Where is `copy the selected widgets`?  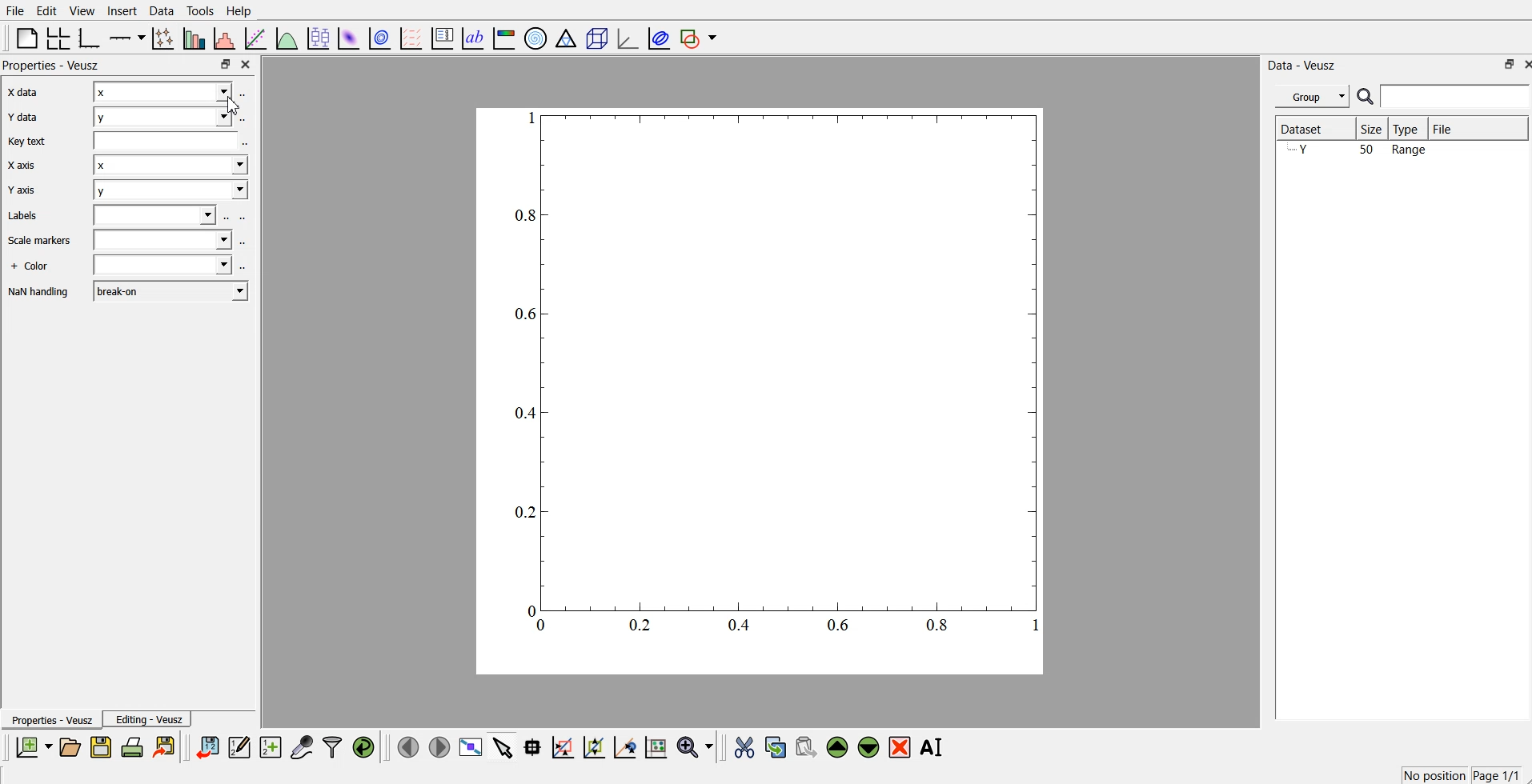
copy the selected widgets is located at coordinates (776, 748).